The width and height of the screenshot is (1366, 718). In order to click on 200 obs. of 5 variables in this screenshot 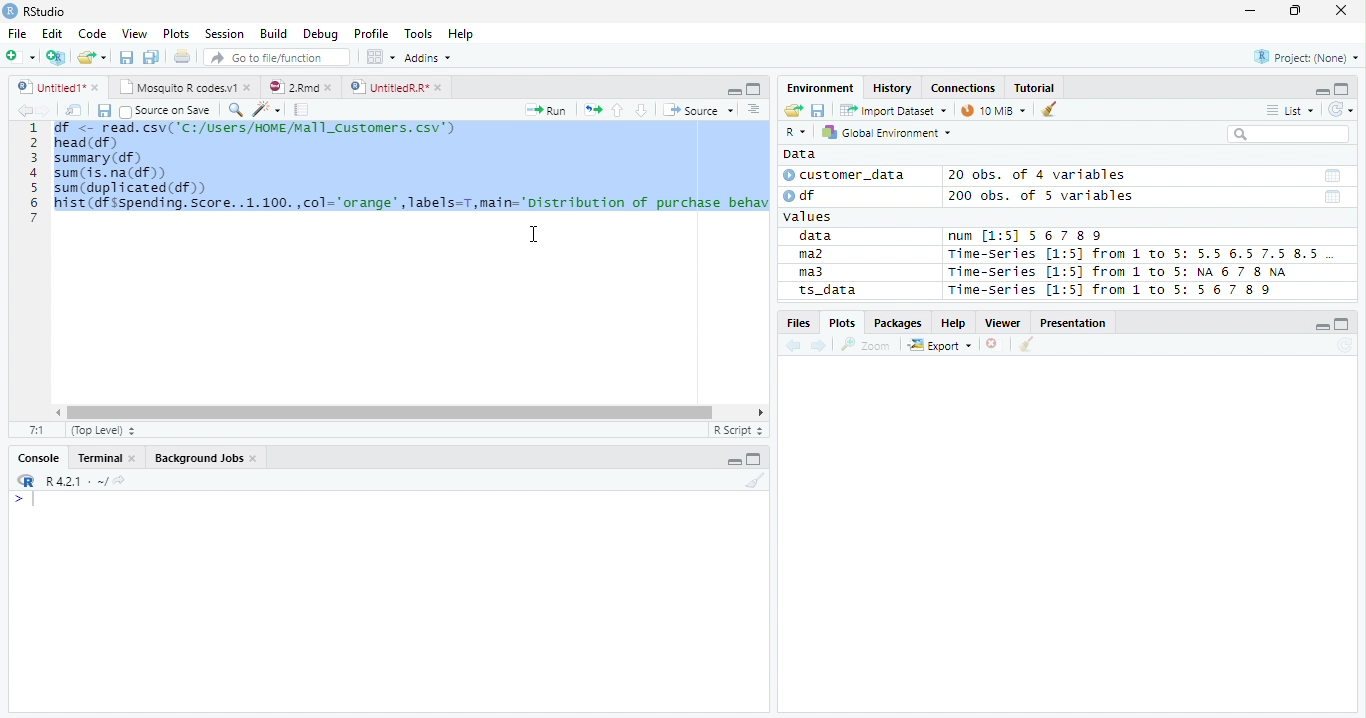, I will do `click(1038, 198)`.